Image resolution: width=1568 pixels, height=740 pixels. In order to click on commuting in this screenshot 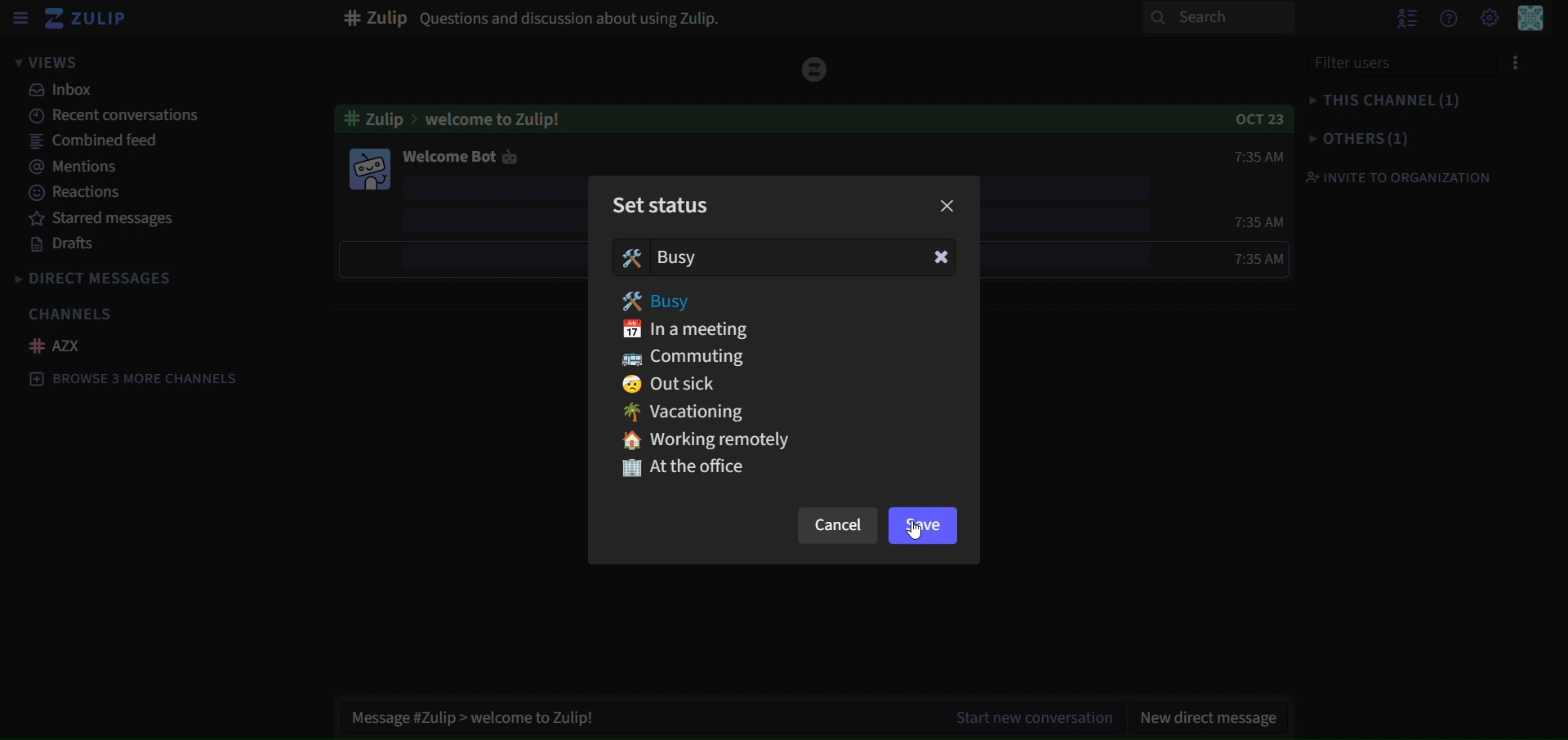, I will do `click(688, 358)`.